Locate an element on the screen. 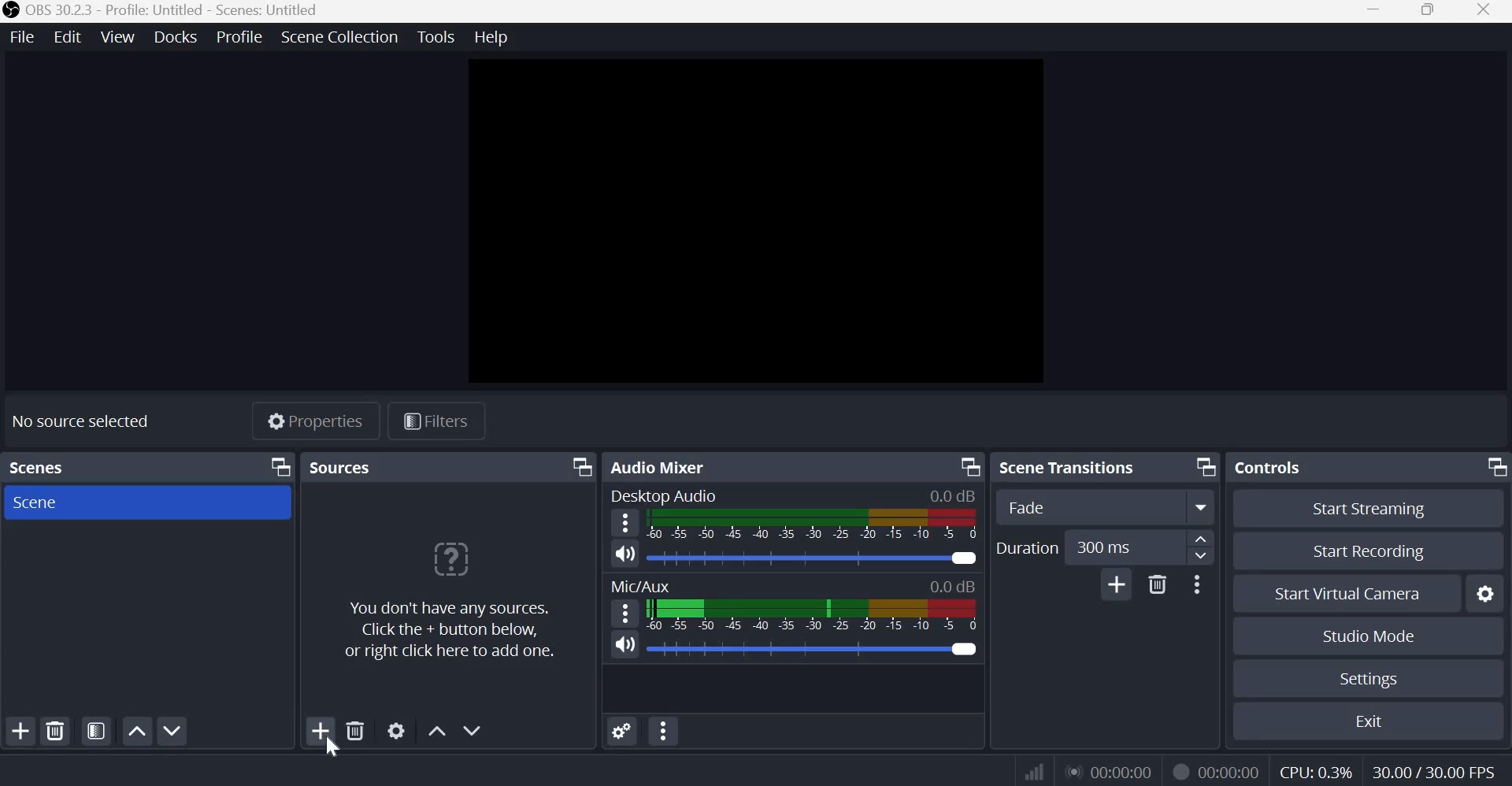 Image resolution: width=1512 pixels, height=786 pixels. Add Transition is located at coordinates (1116, 584).